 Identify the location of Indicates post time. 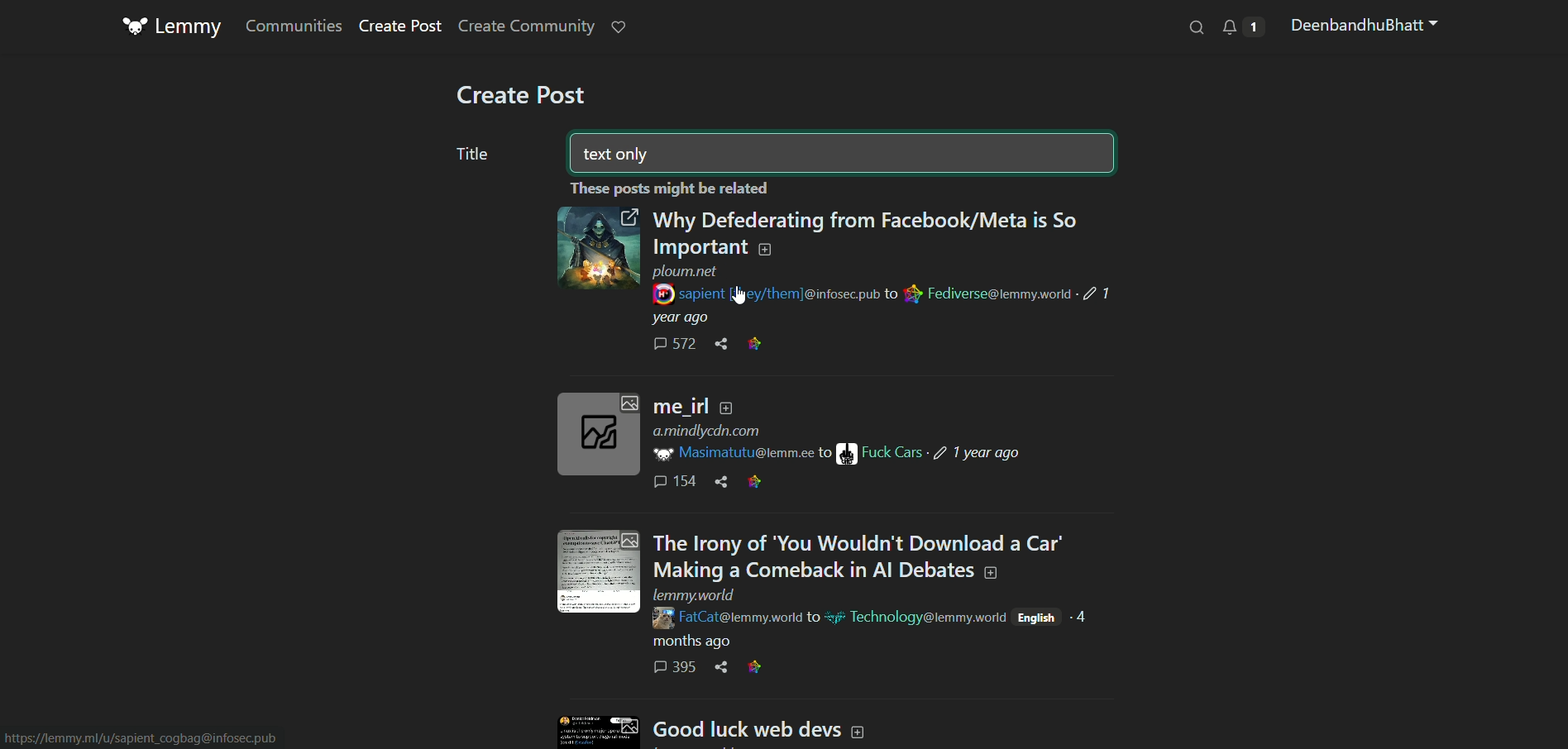
(681, 319).